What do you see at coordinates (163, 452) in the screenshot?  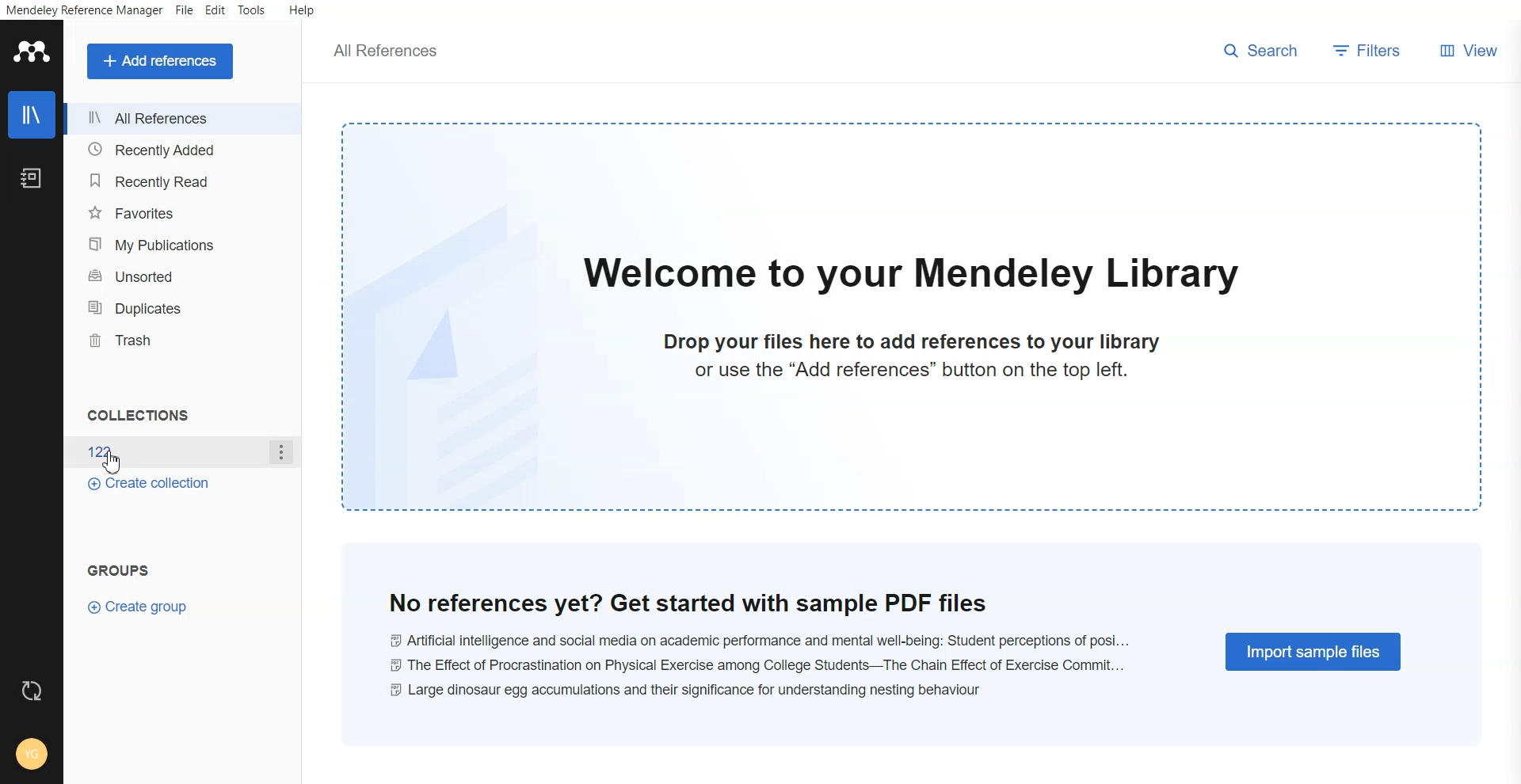 I see `file name` at bounding box center [163, 452].